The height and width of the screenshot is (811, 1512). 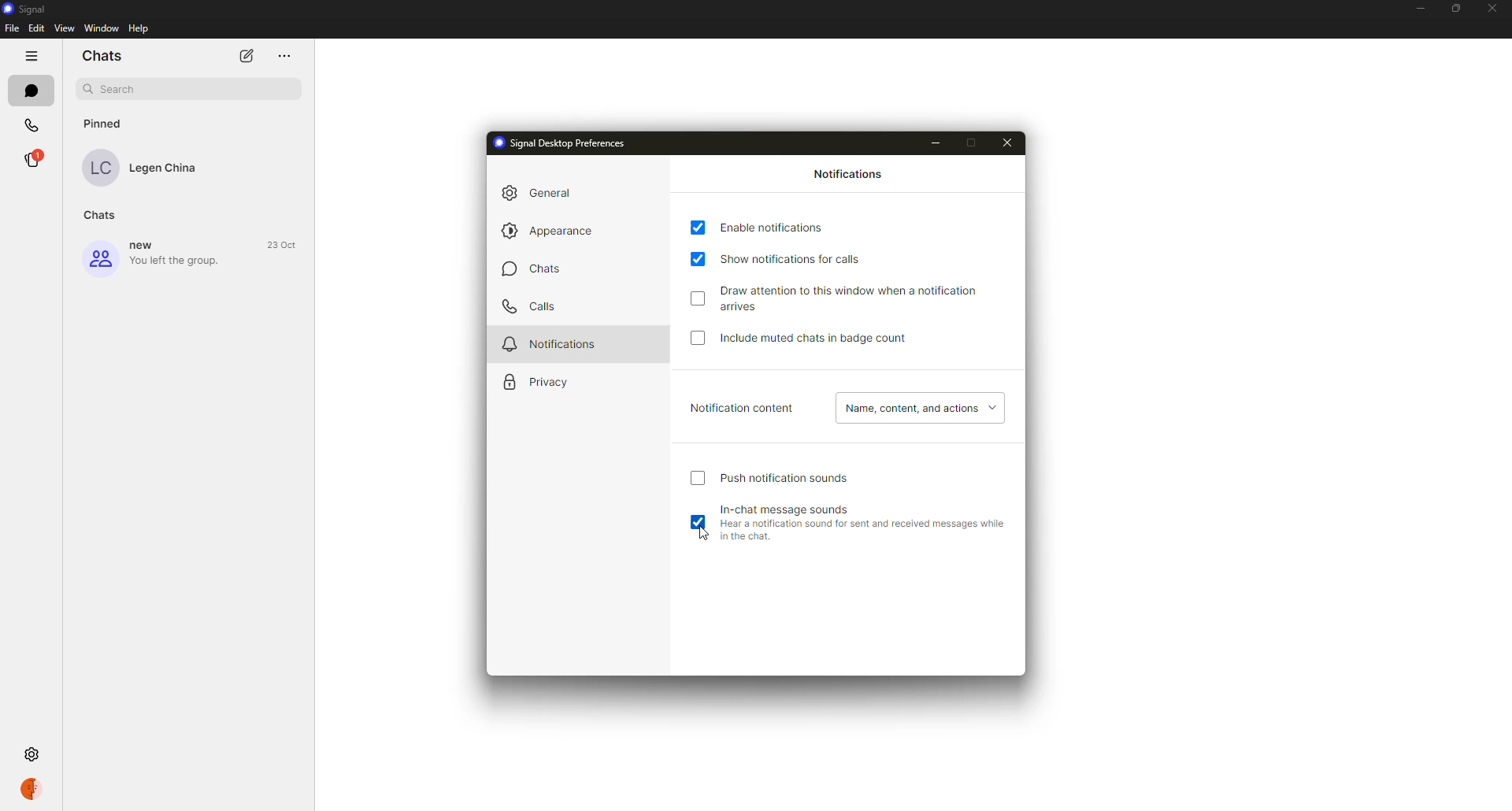 What do you see at coordinates (1421, 9) in the screenshot?
I see `minimize` at bounding box center [1421, 9].